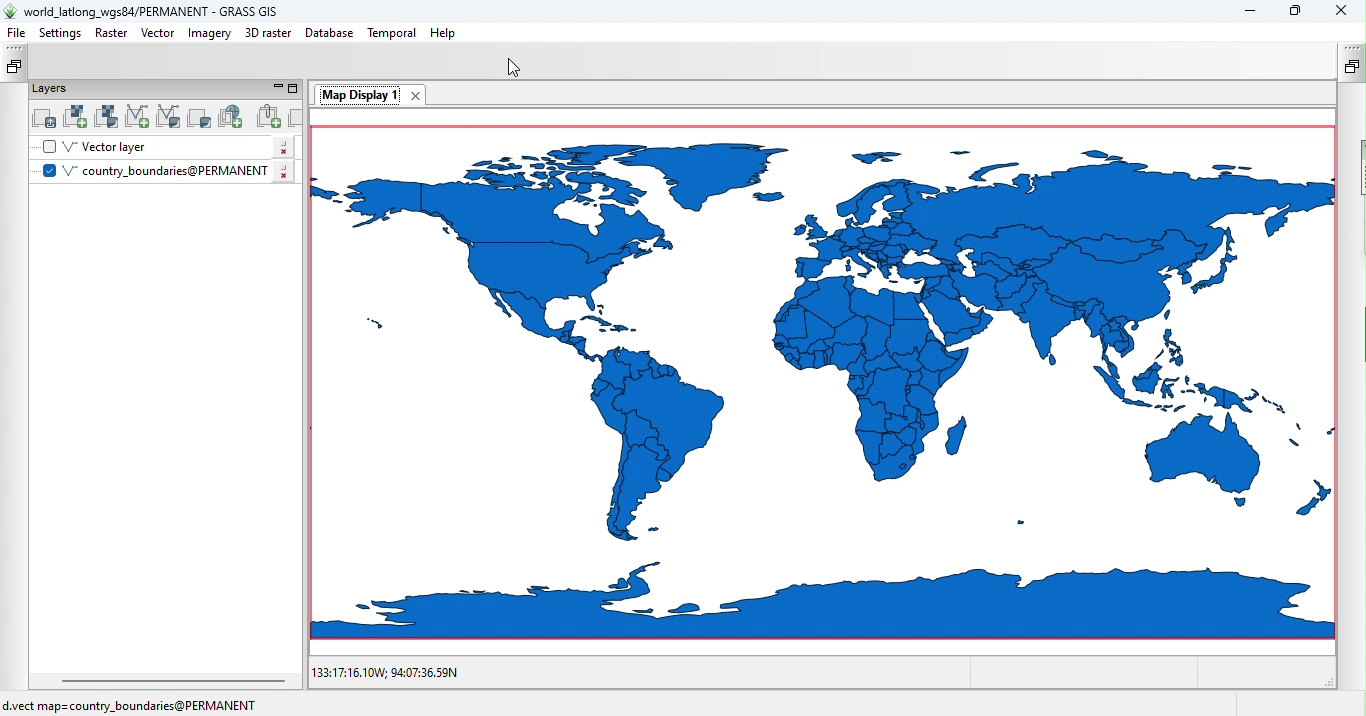 The width and height of the screenshot is (1366, 716). I want to click on Click to edit layer settings, so click(284, 145).